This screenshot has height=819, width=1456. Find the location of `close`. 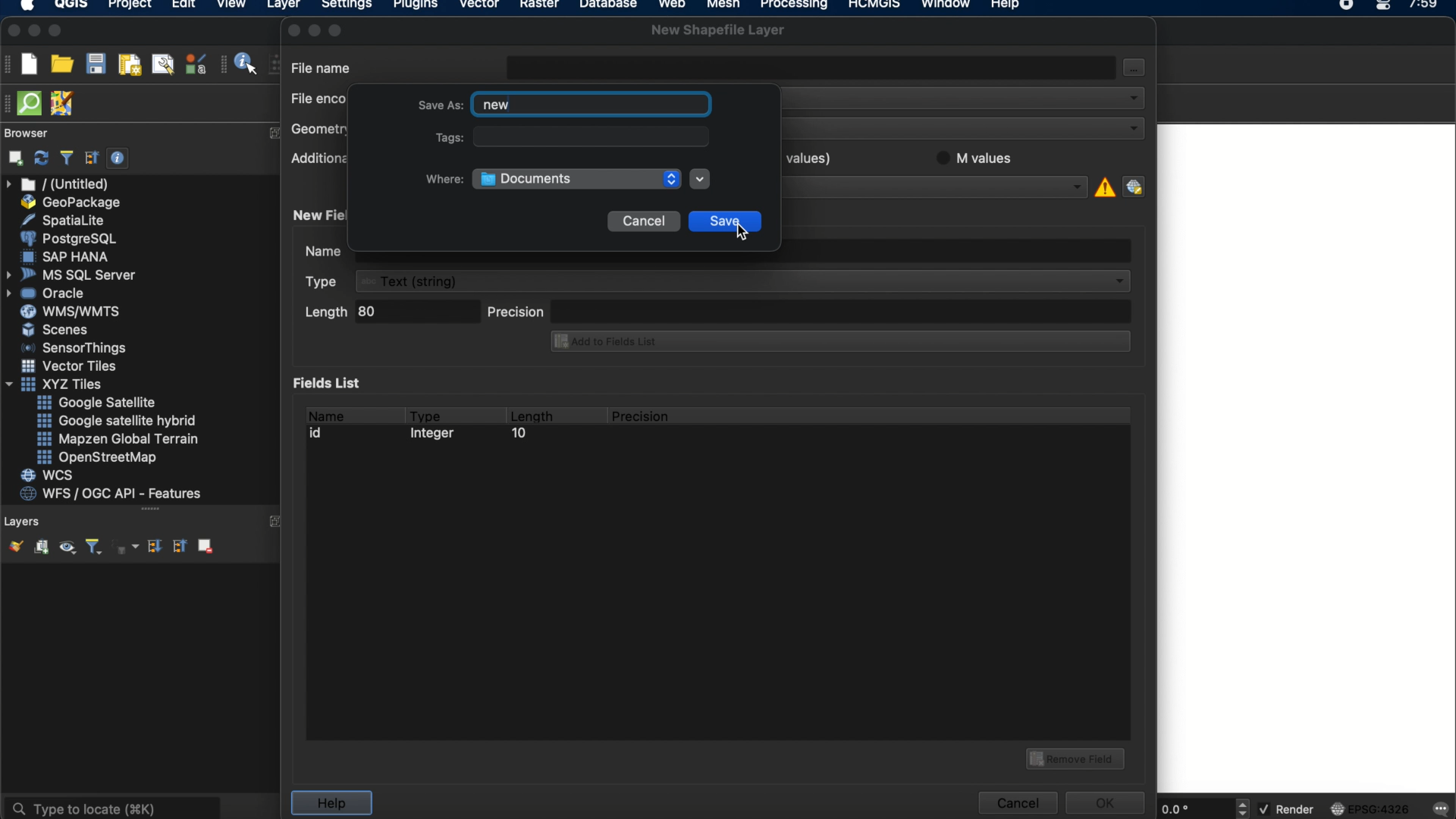

close is located at coordinates (12, 31).